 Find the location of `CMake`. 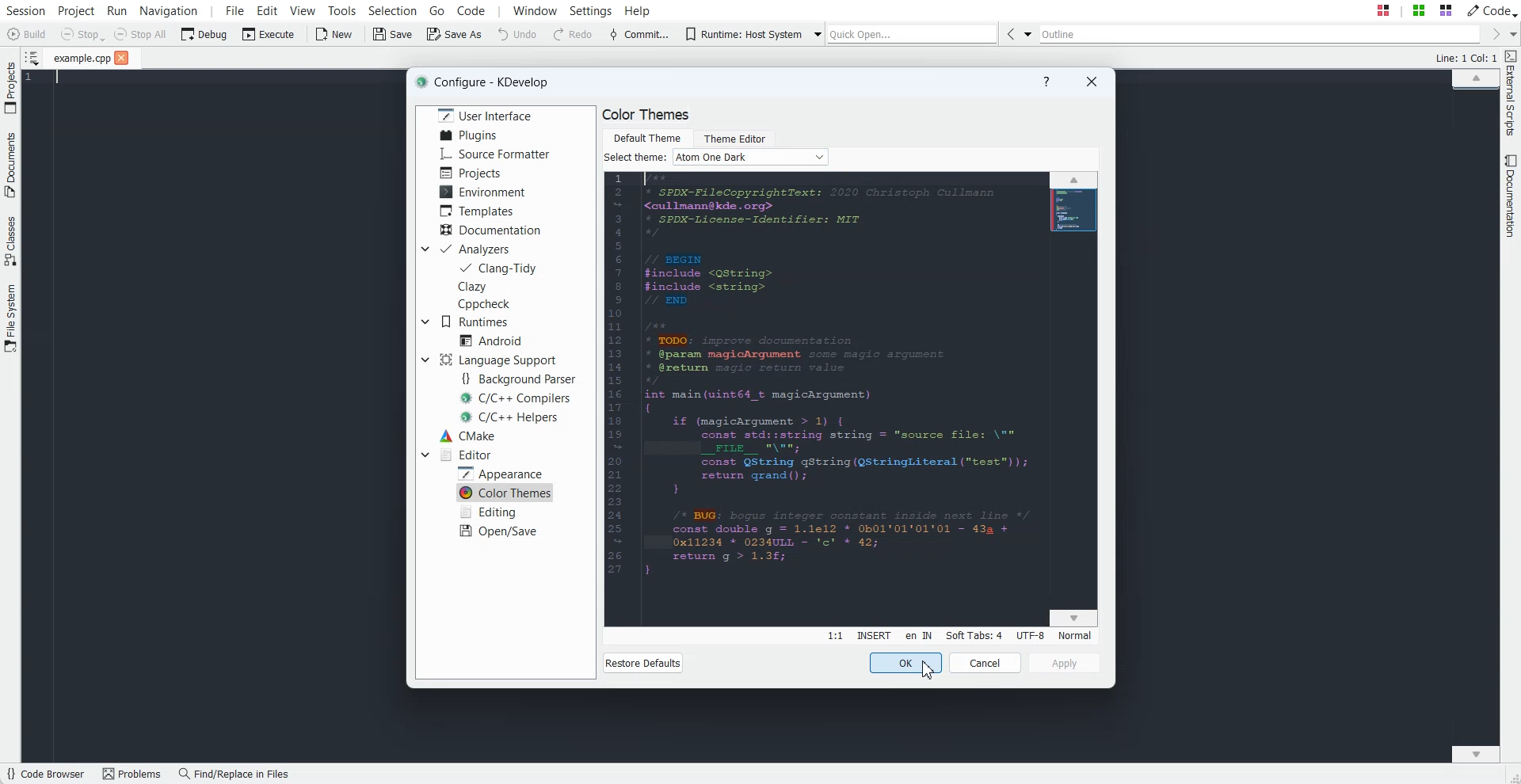

CMake is located at coordinates (467, 436).